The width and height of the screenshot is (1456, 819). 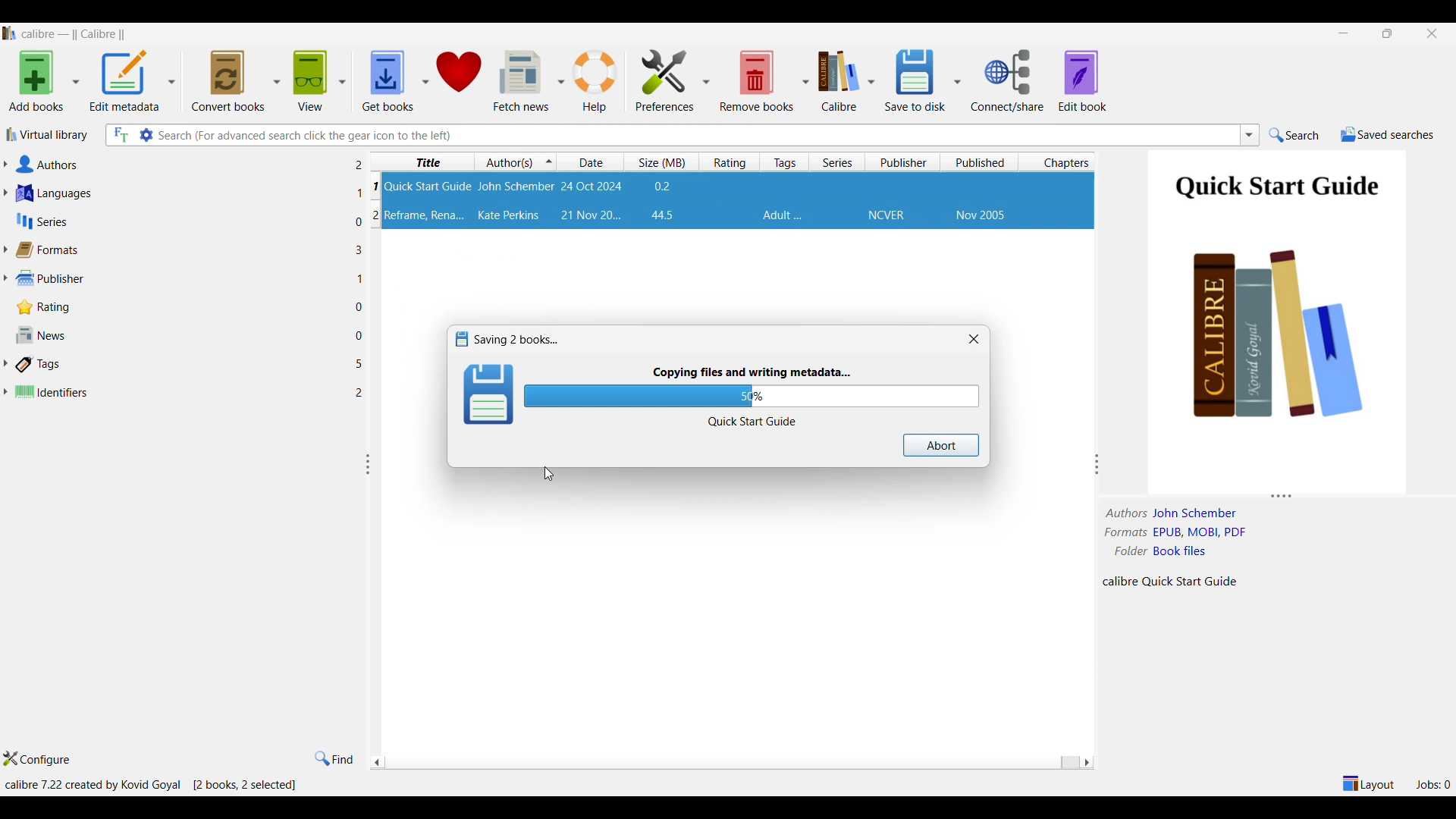 What do you see at coordinates (732, 162) in the screenshot?
I see `Rating column` at bounding box center [732, 162].